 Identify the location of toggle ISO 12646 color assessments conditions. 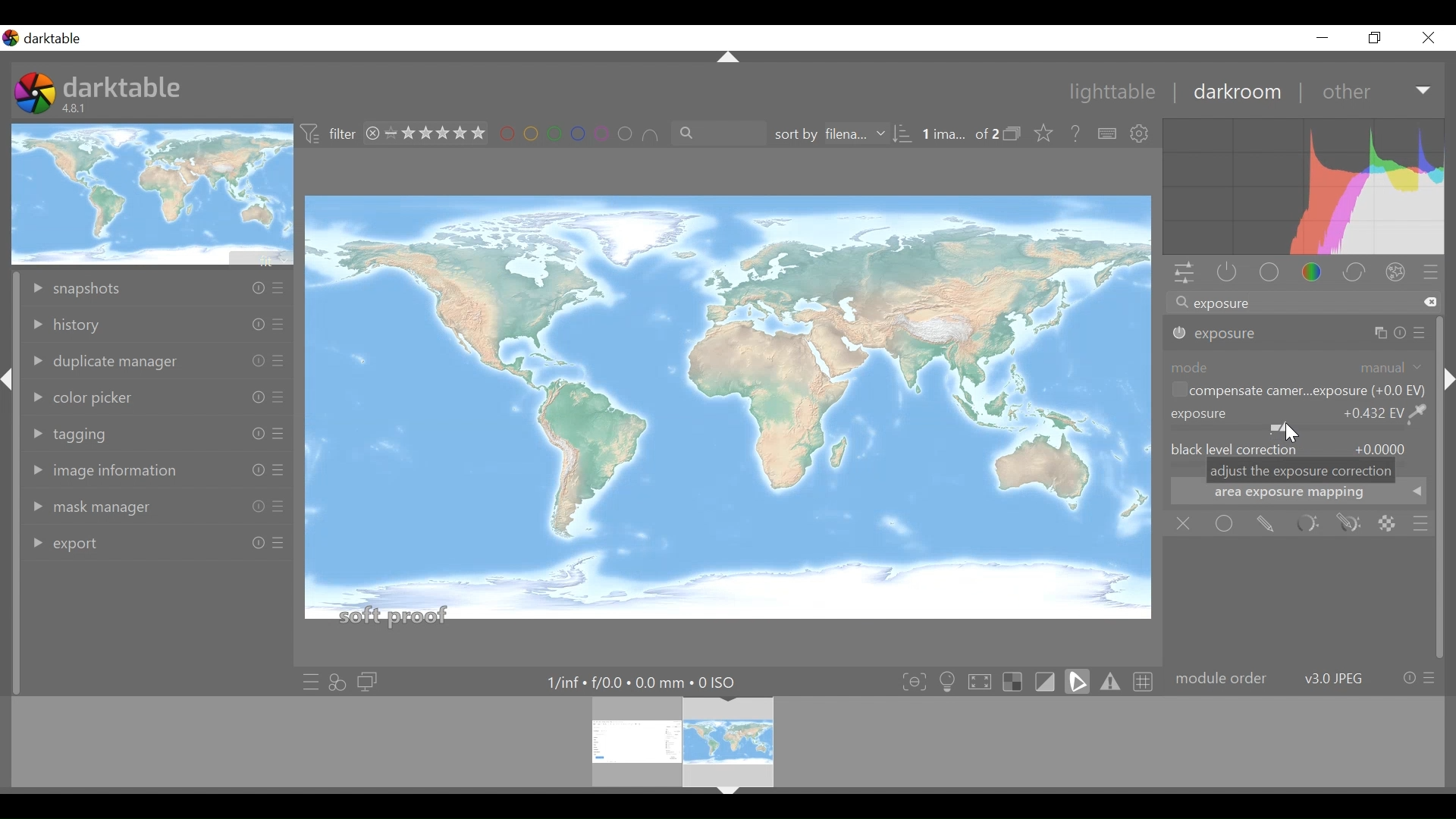
(949, 680).